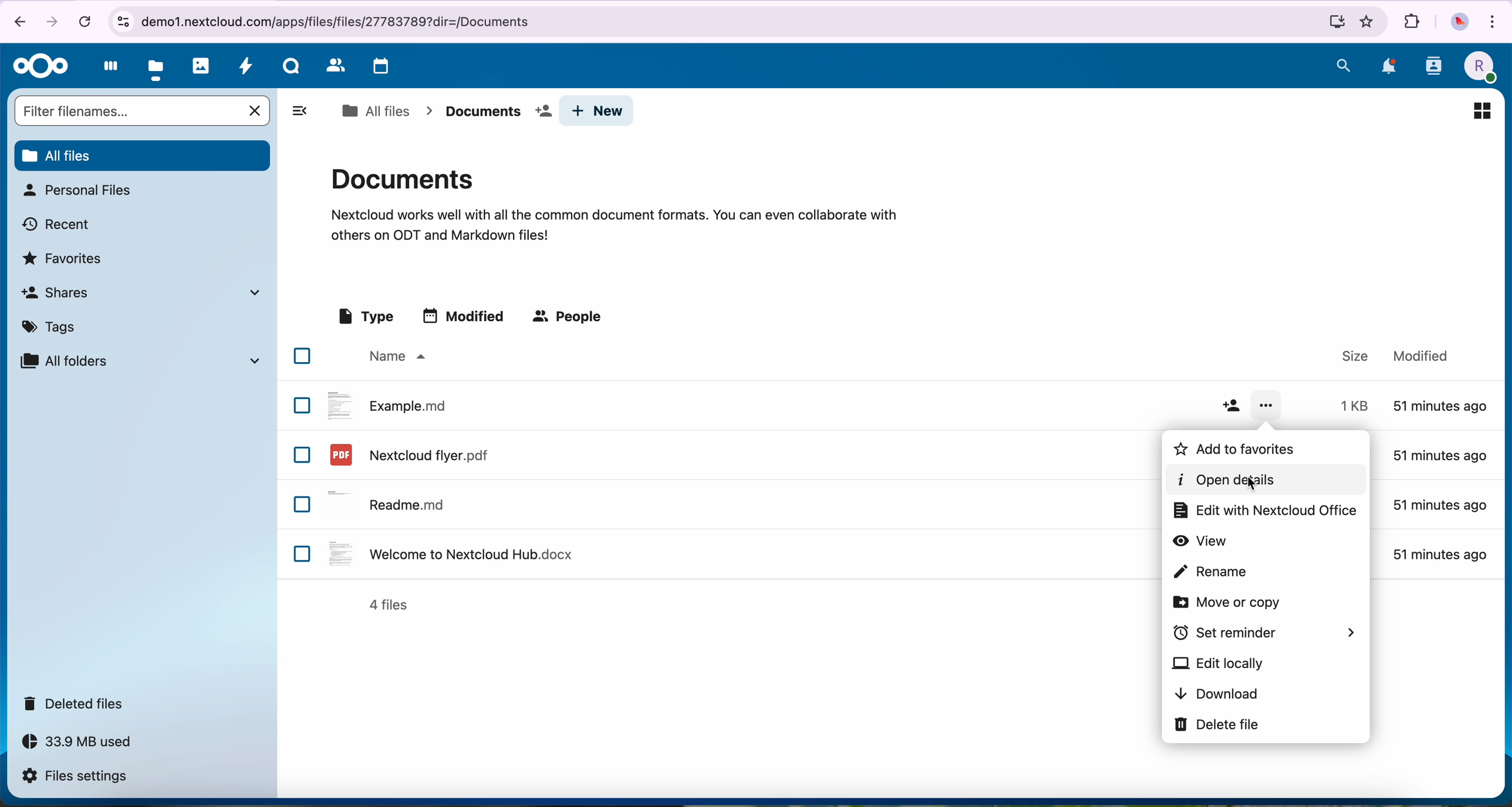  I want to click on search bar, so click(127, 110).